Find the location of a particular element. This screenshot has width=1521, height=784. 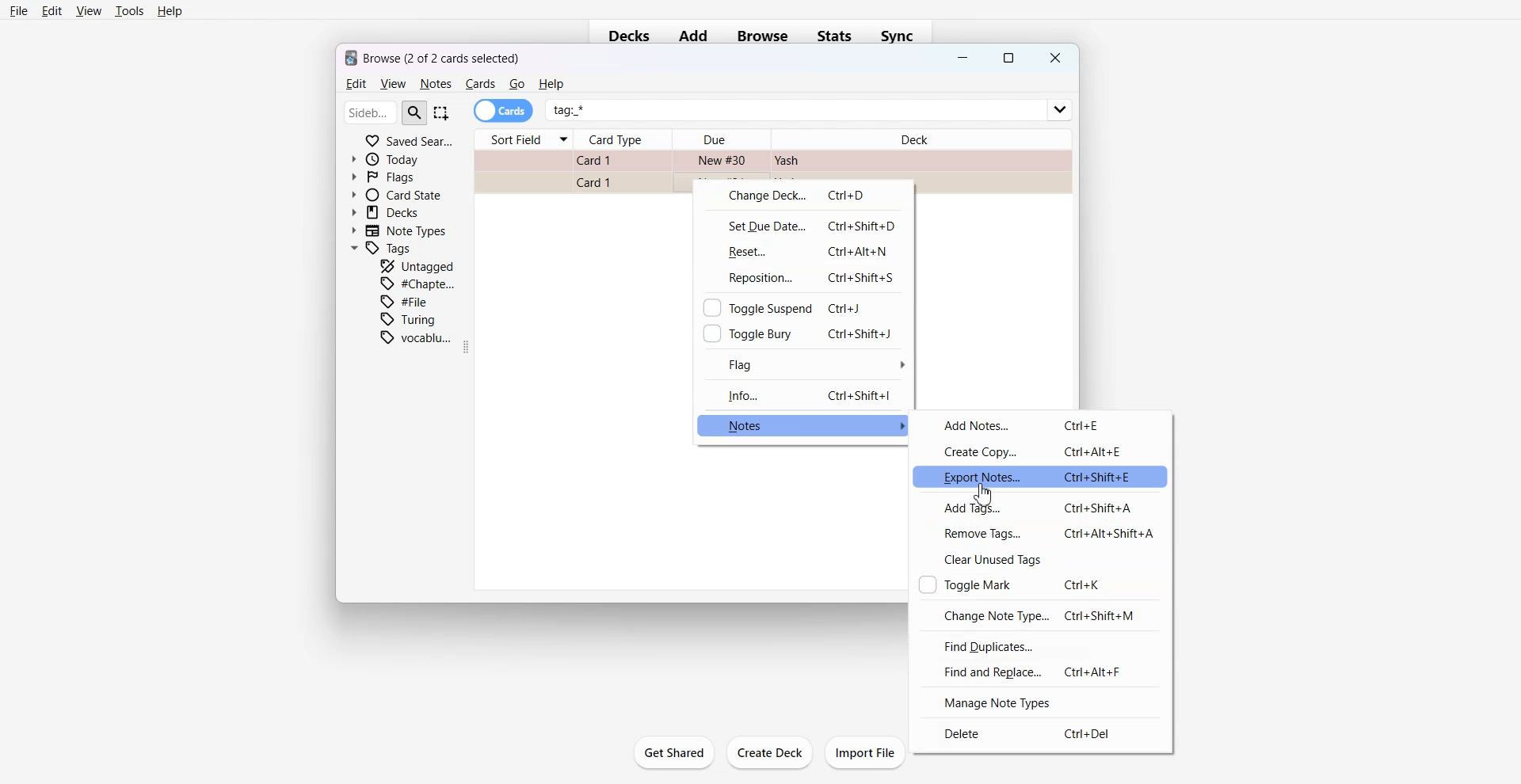

Drag Handle is located at coordinates (469, 347).